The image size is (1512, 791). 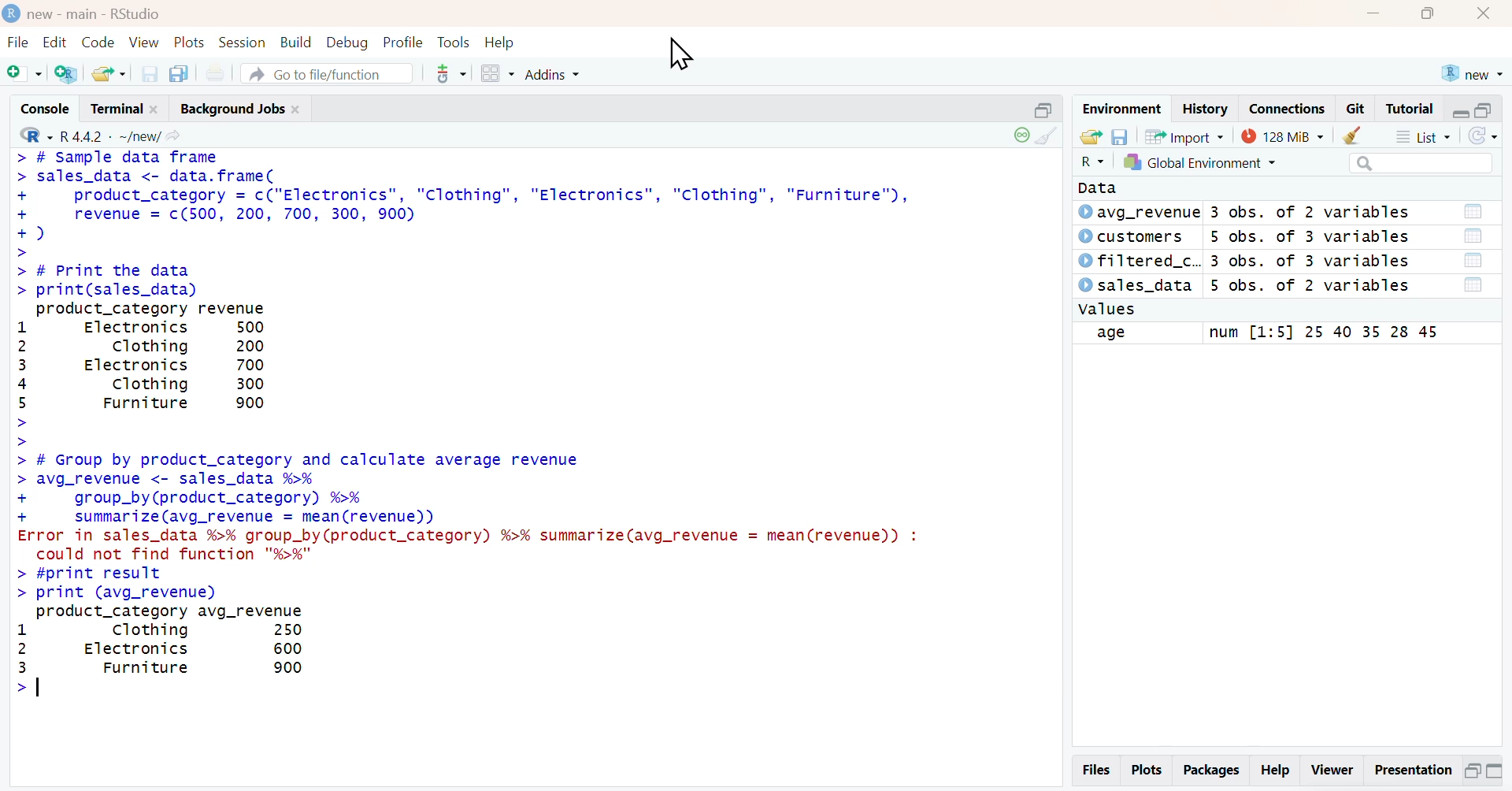 I want to click on field name, so click(x=1136, y=334).